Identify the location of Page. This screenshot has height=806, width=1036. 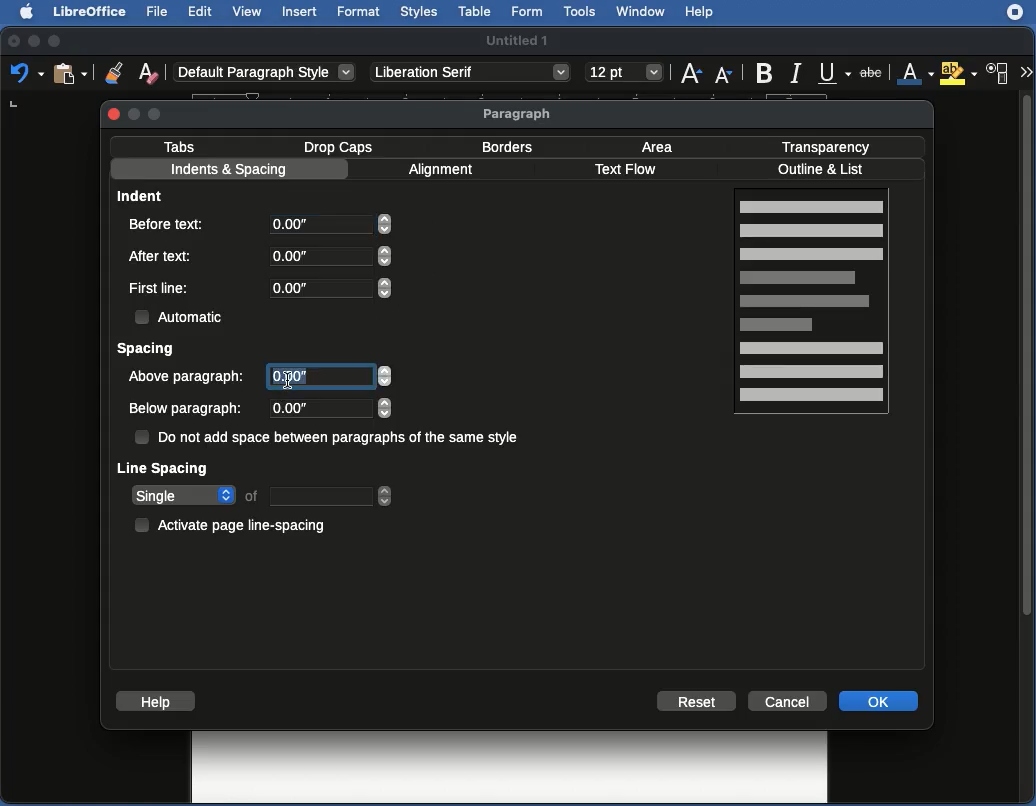
(814, 304).